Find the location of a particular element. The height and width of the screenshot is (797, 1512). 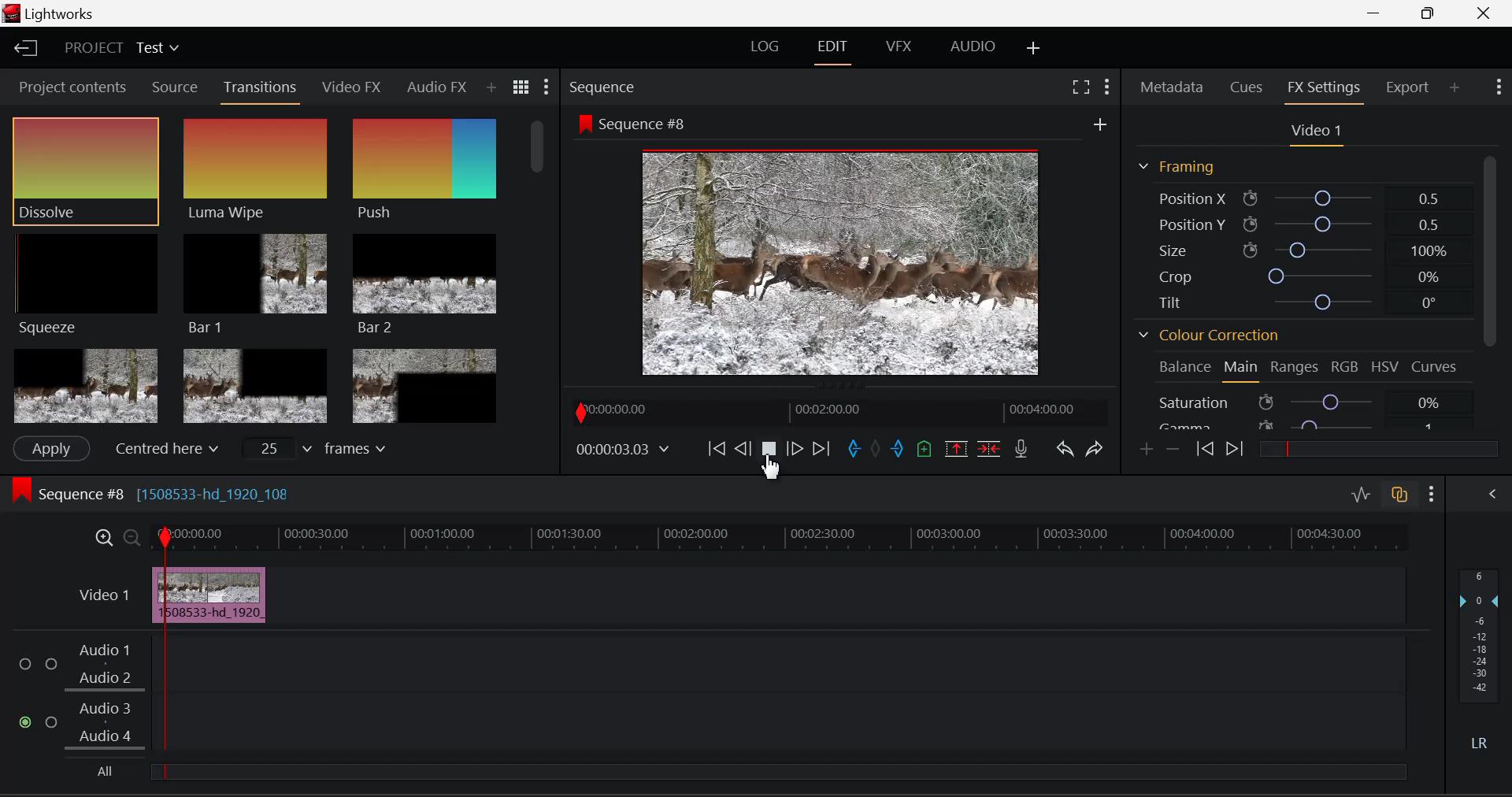

Go Back is located at coordinates (743, 450).